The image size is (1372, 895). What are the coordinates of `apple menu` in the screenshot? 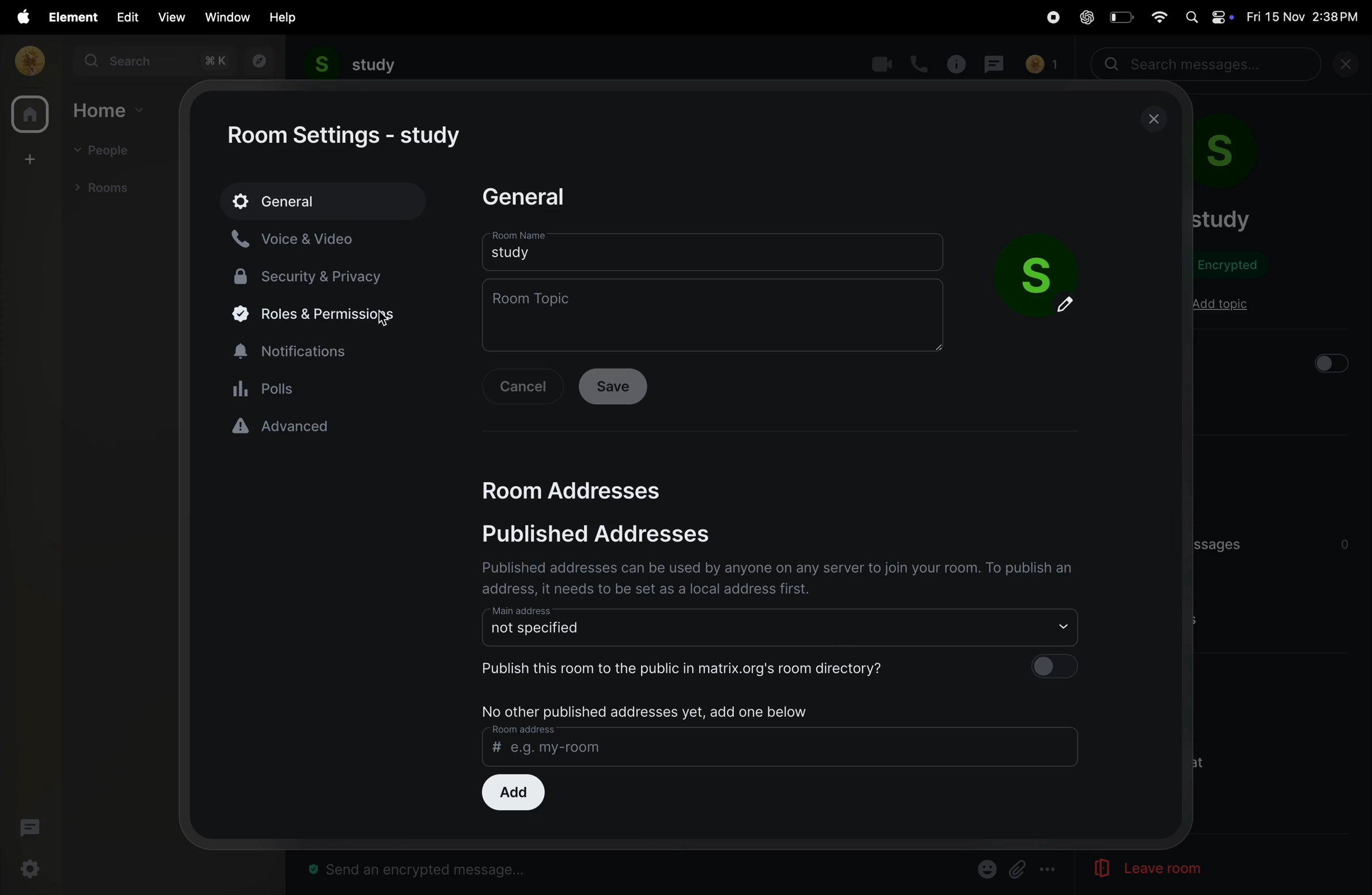 It's located at (19, 17).